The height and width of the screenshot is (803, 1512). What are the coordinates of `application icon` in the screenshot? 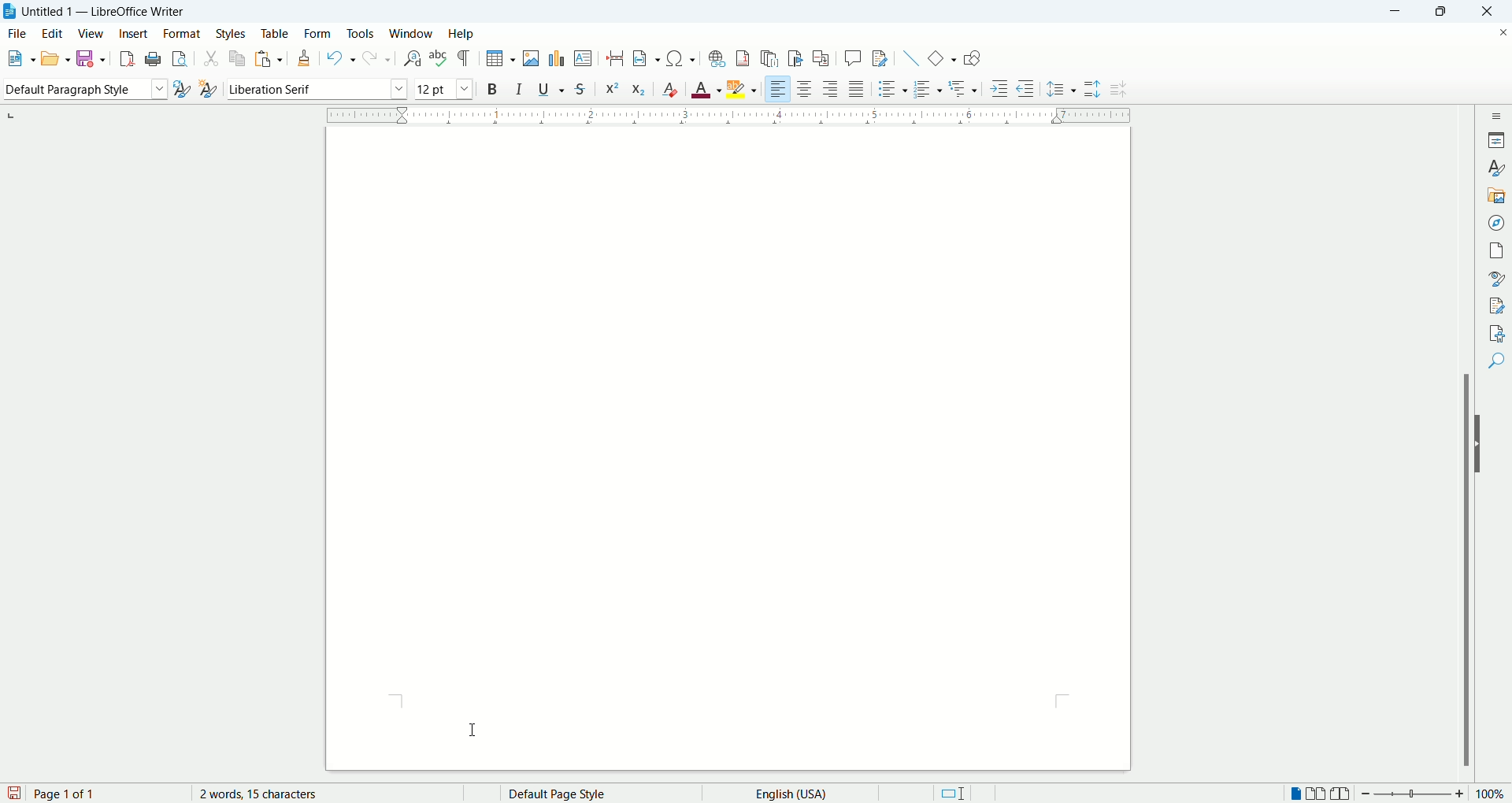 It's located at (10, 12).